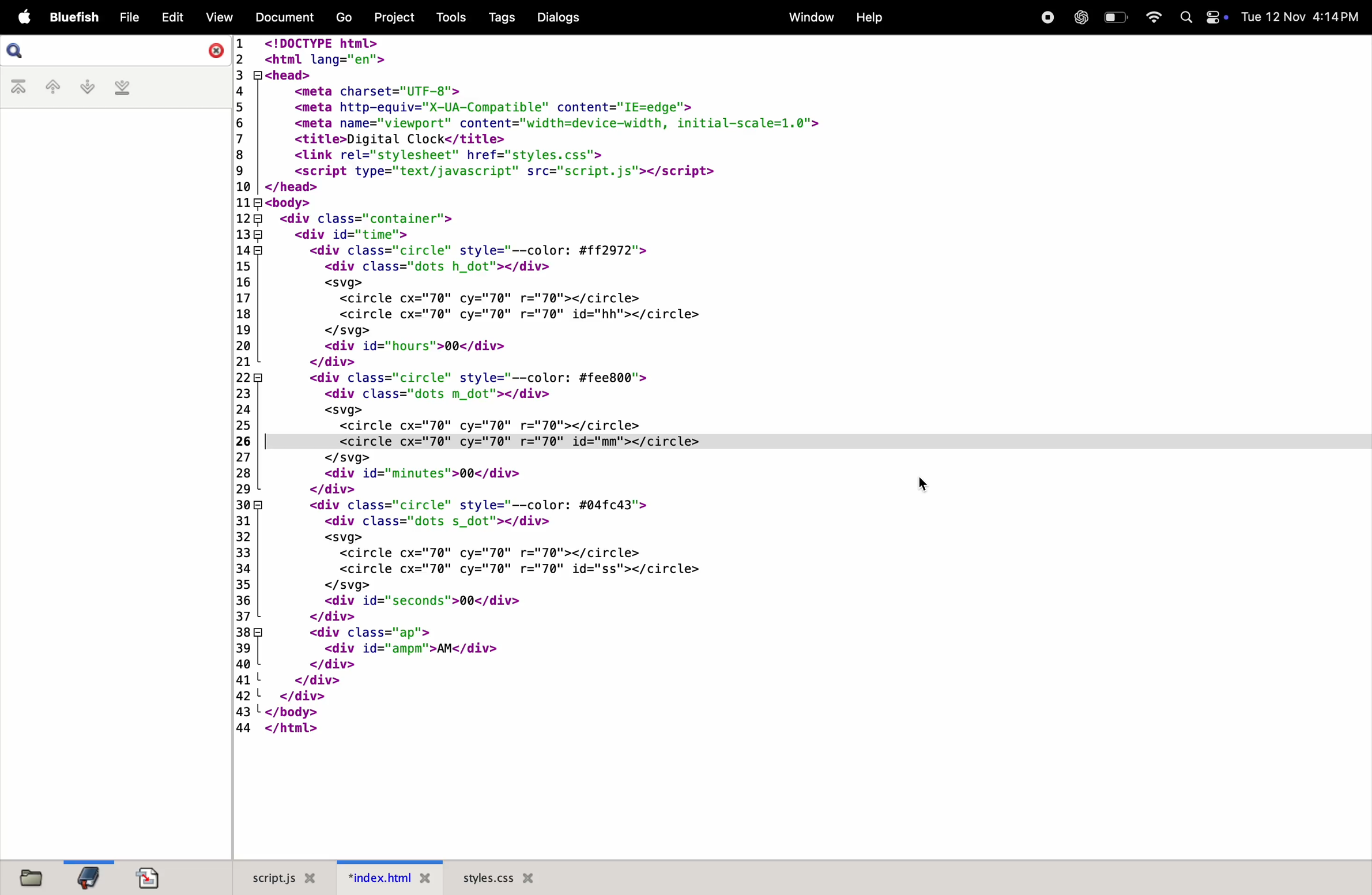  What do you see at coordinates (211, 50) in the screenshot?
I see `close` at bounding box center [211, 50].